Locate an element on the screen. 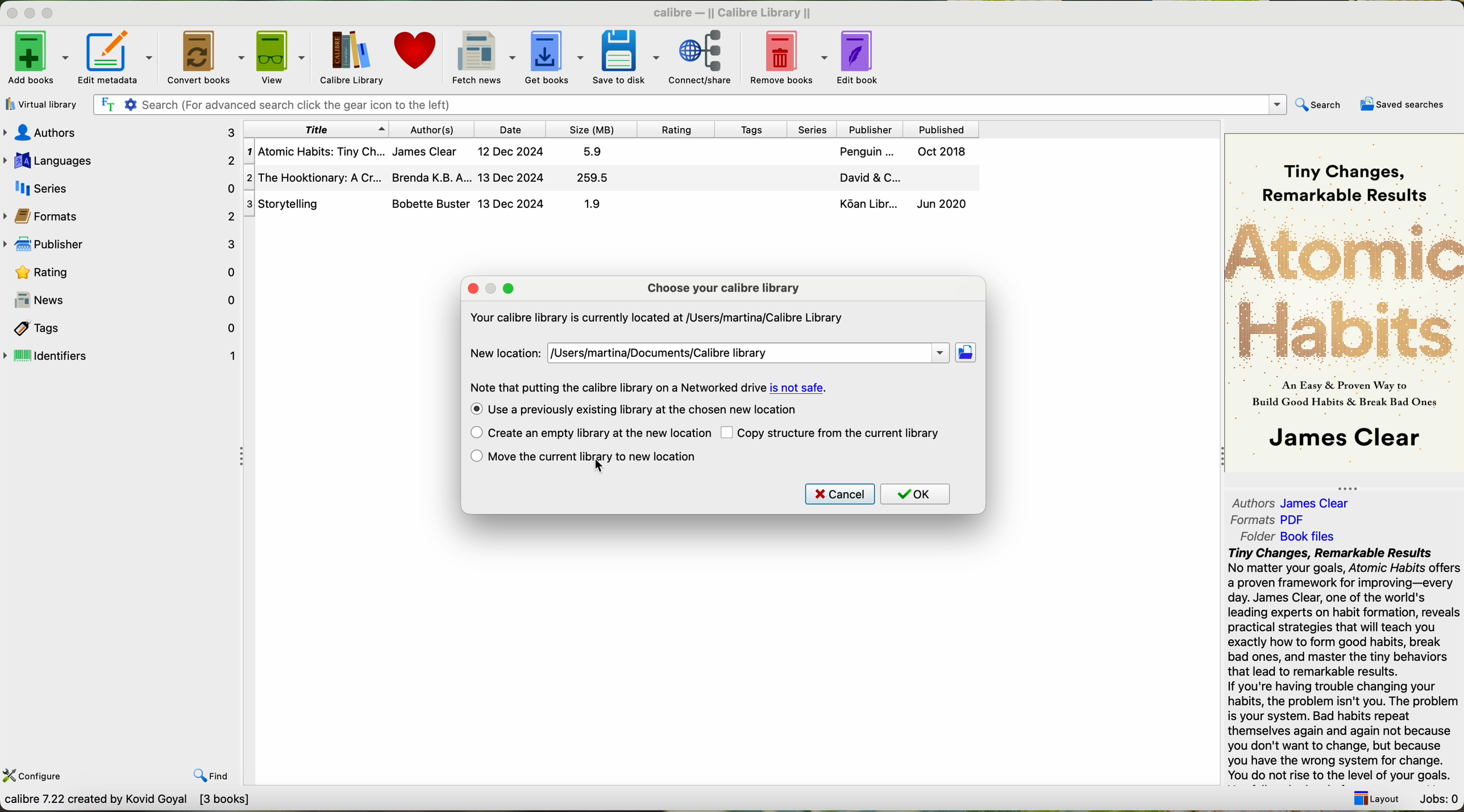  move the current library to new location is located at coordinates (600, 457).